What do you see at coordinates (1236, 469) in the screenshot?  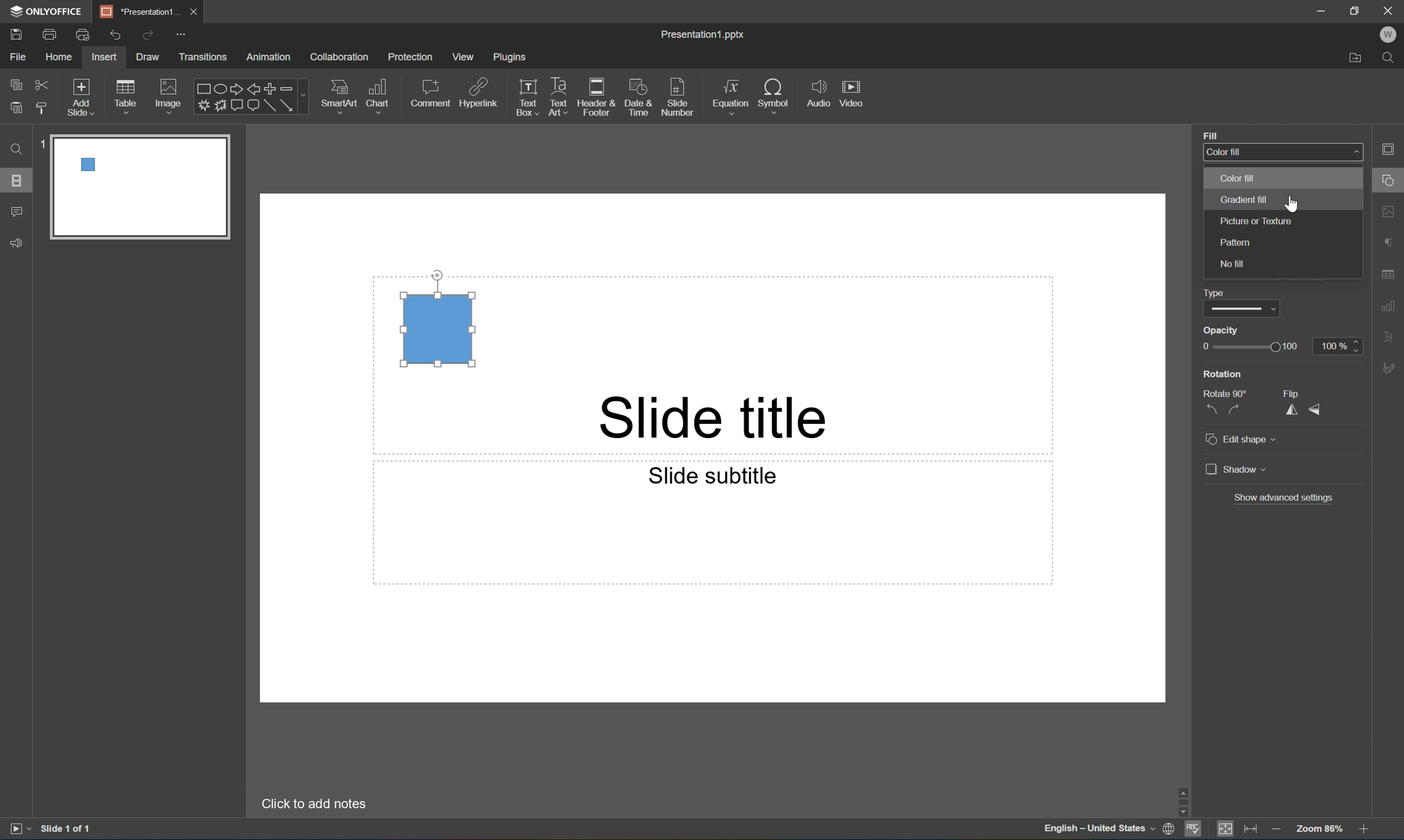 I see `Shadow` at bounding box center [1236, 469].